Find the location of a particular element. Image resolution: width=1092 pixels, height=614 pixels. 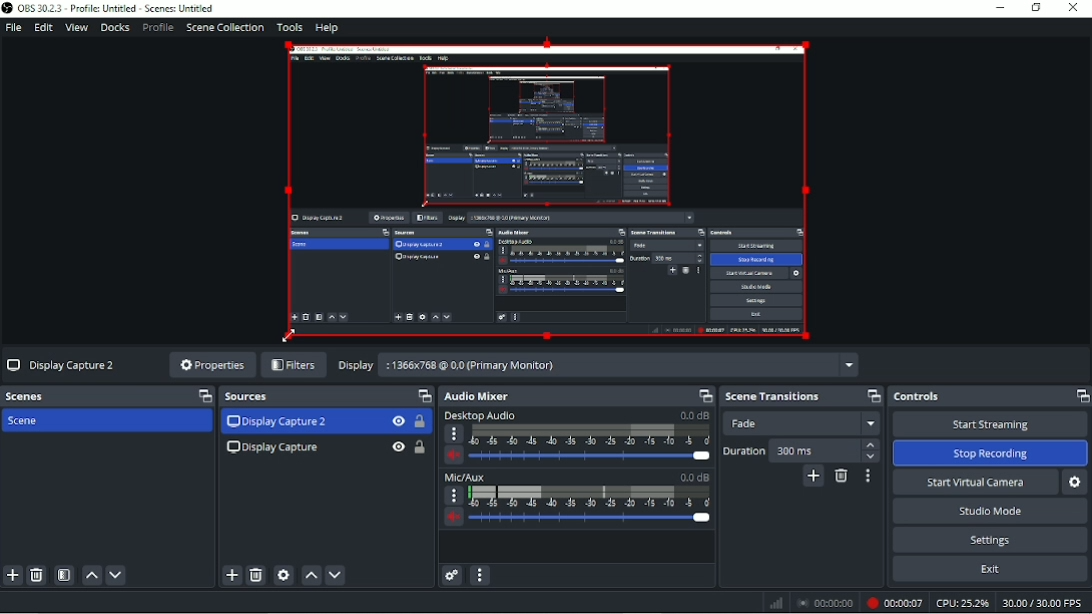

Display Capture is located at coordinates (271, 448).